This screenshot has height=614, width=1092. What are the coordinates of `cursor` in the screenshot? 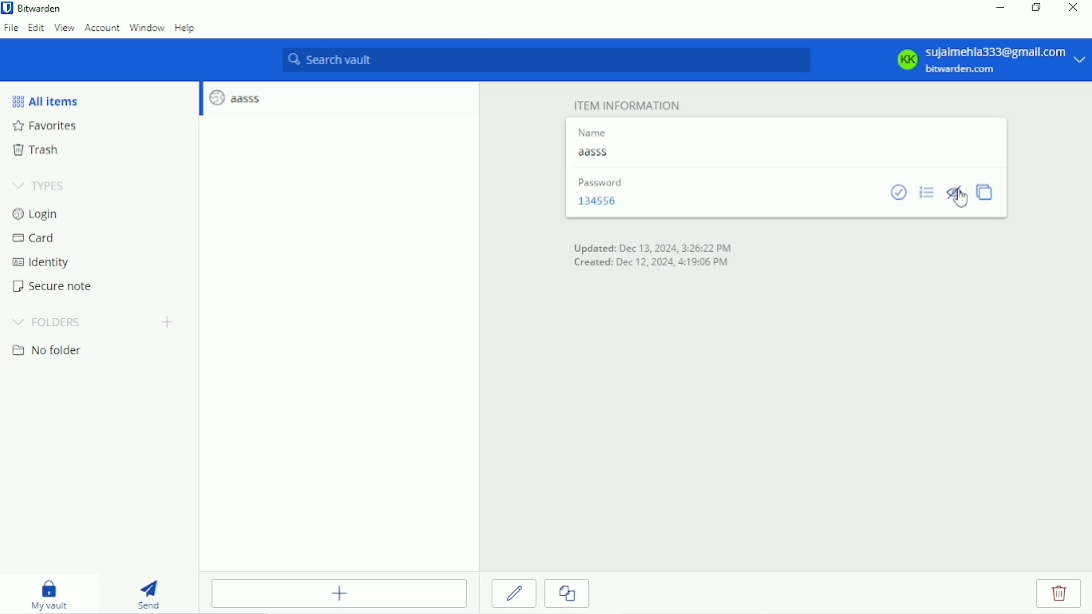 It's located at (962, 200).